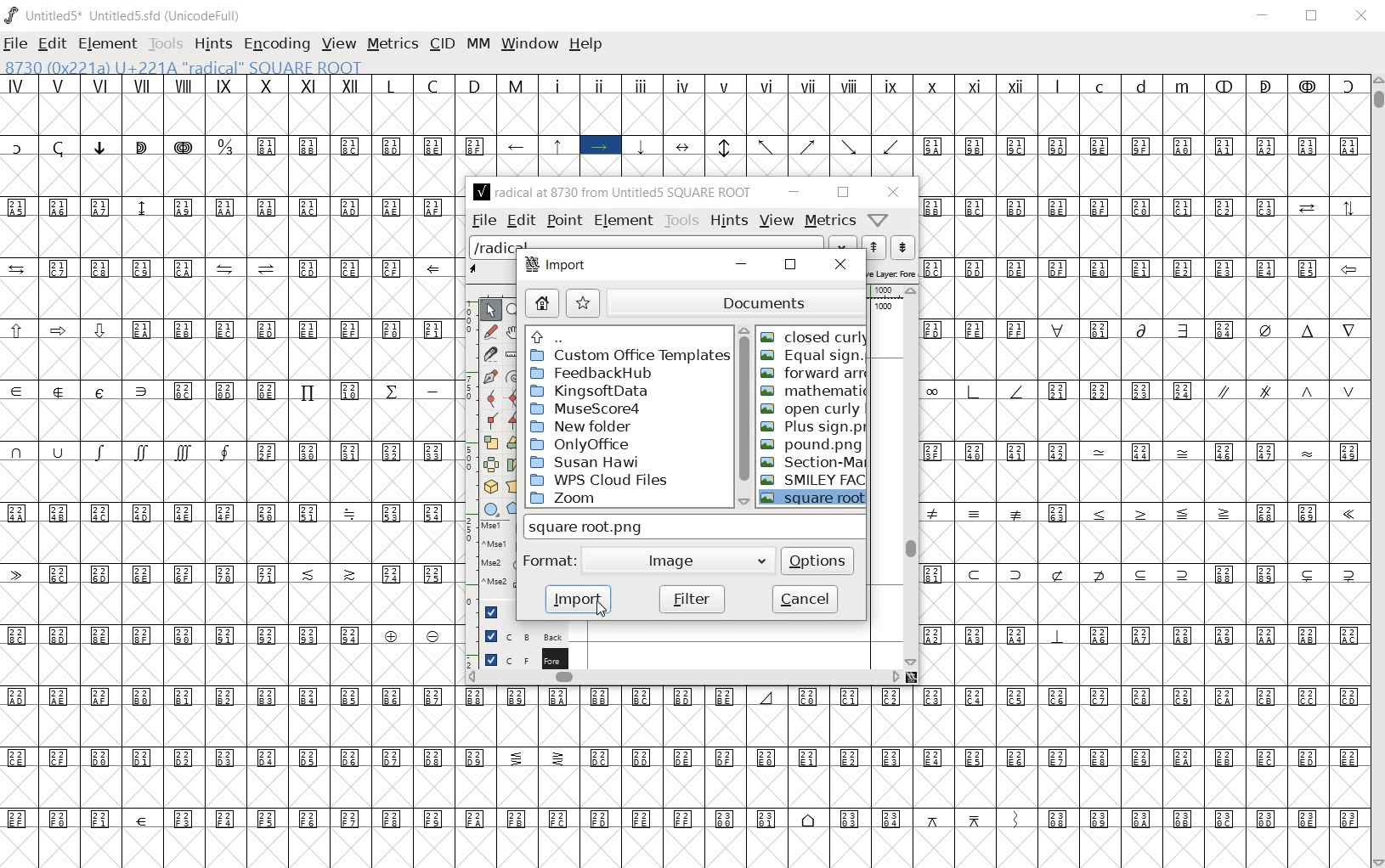  I want to click on flip the selection, so click(490, 465).